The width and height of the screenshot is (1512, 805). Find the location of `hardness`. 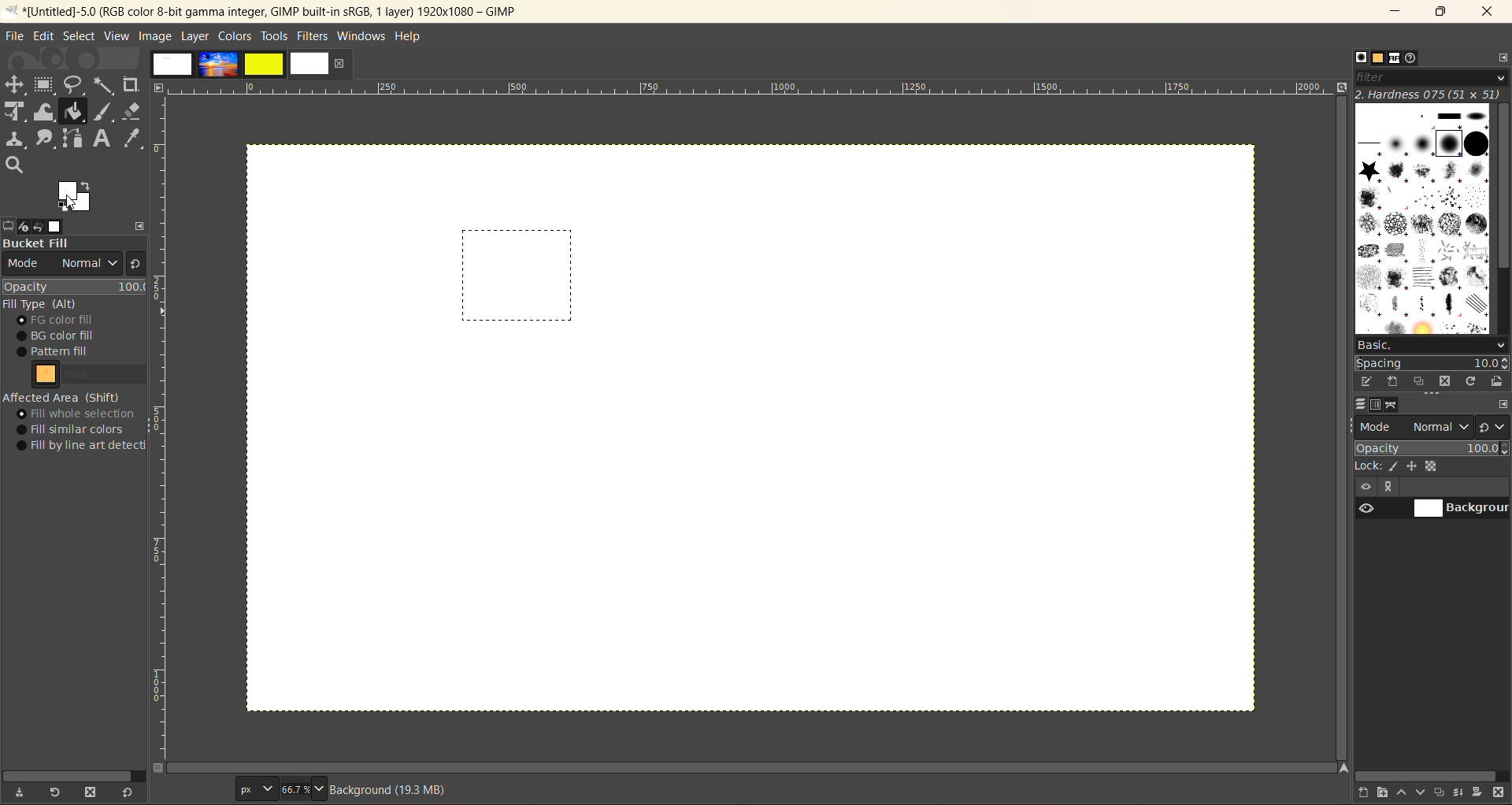

hardness is located at coordinates (1430, 95).